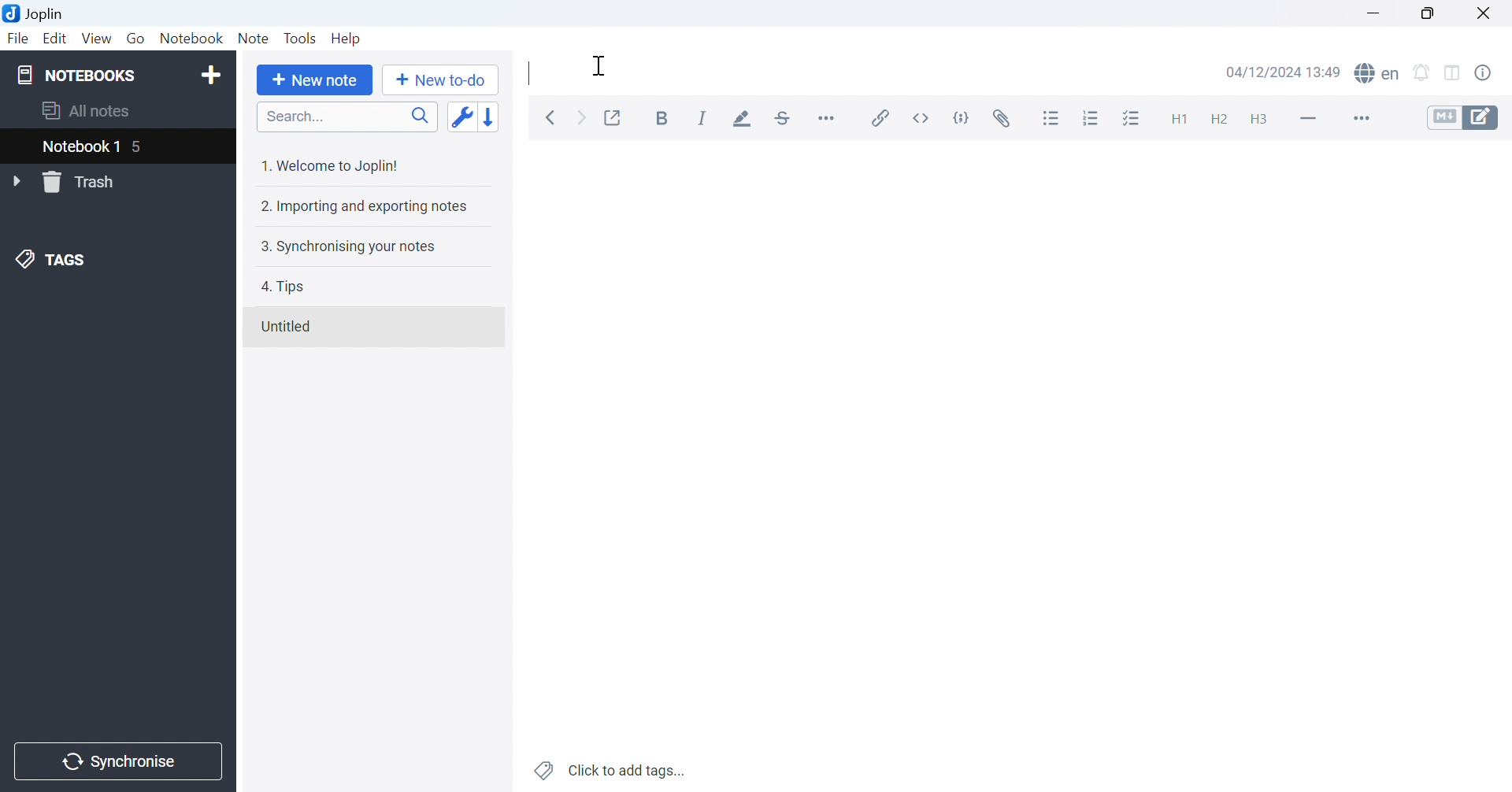 Image resolution: width=1512 pixels, height=792 pixels. I want to click on Insert / edit code, so click(881, 114).